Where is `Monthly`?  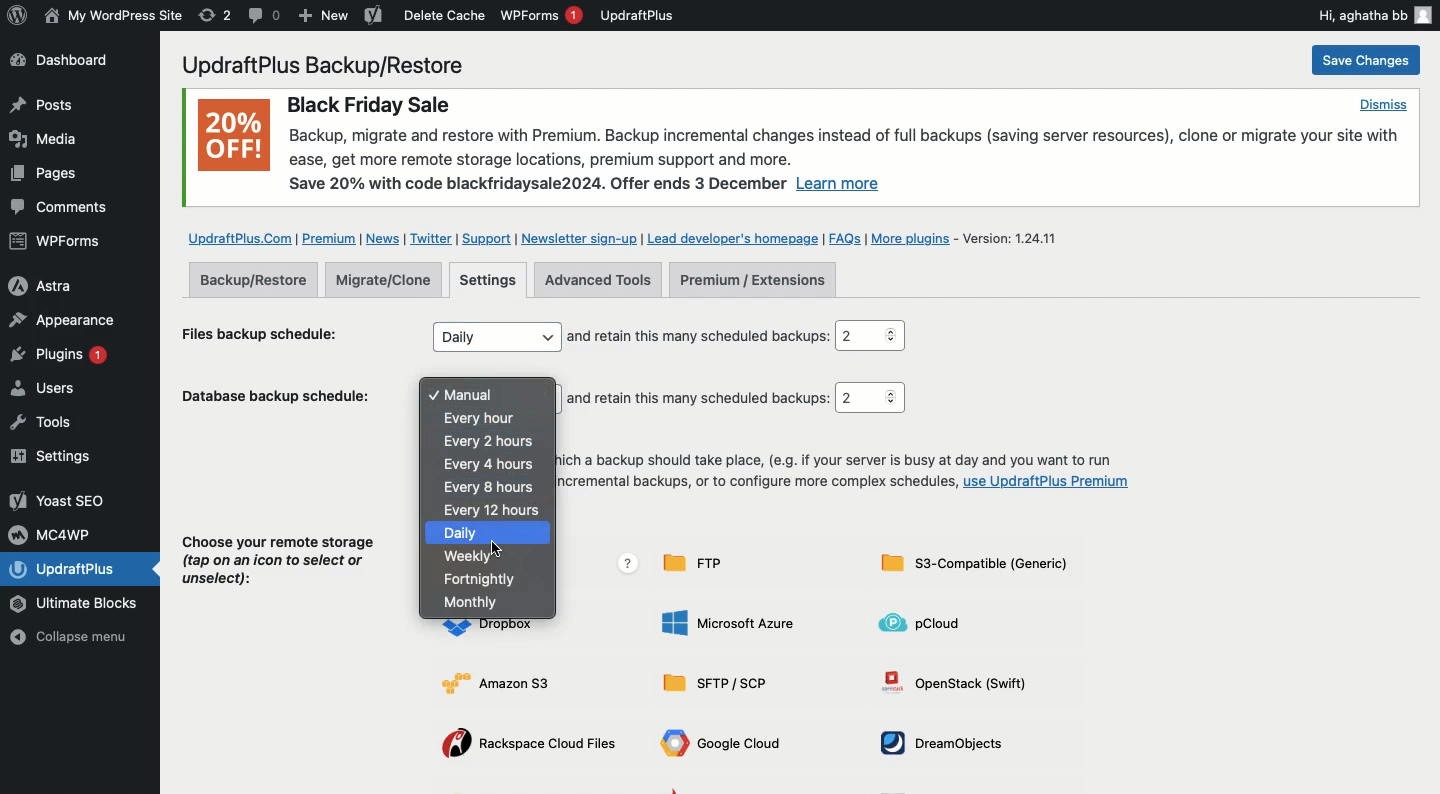 Monthly is located at coordinates (478, 603).